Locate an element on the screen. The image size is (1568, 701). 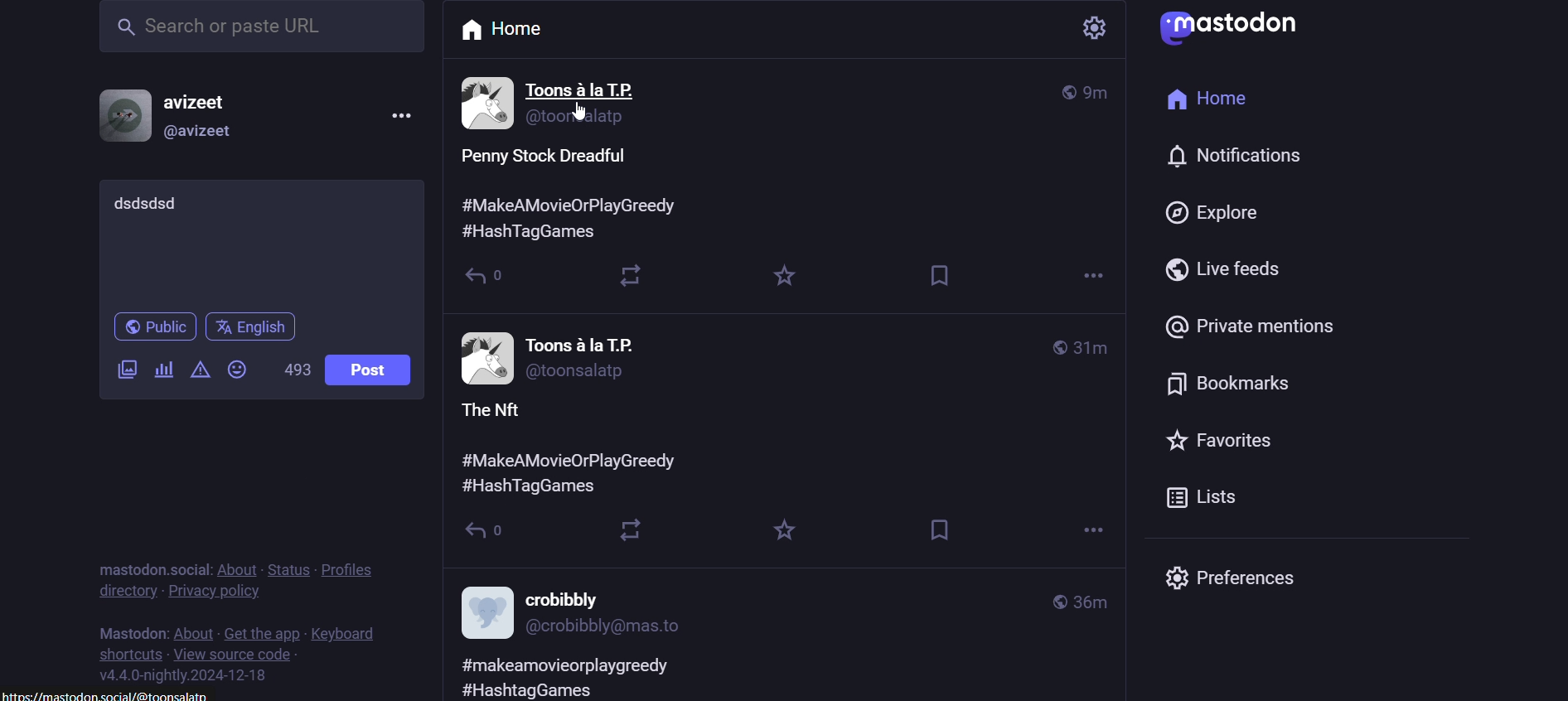
other post is located at coordinates (486, 613).